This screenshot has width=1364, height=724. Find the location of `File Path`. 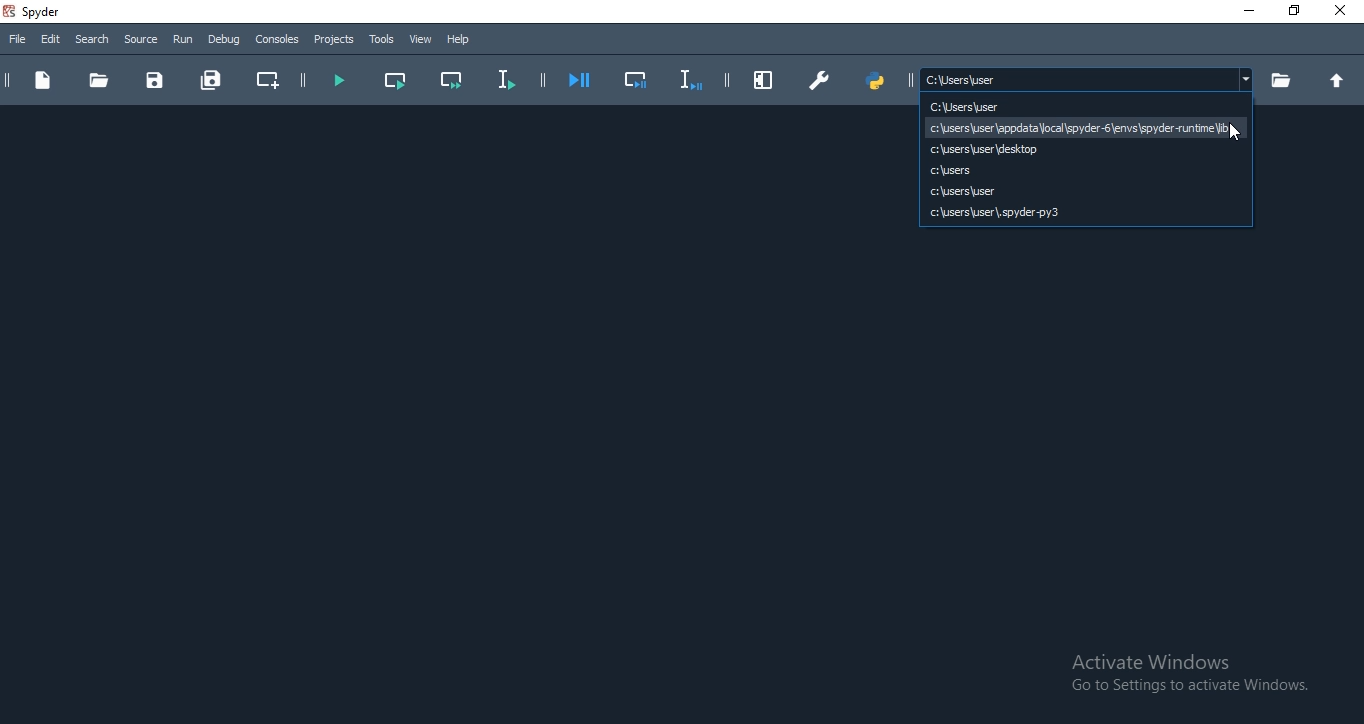

File Path is located at coordinates (1087, 79).